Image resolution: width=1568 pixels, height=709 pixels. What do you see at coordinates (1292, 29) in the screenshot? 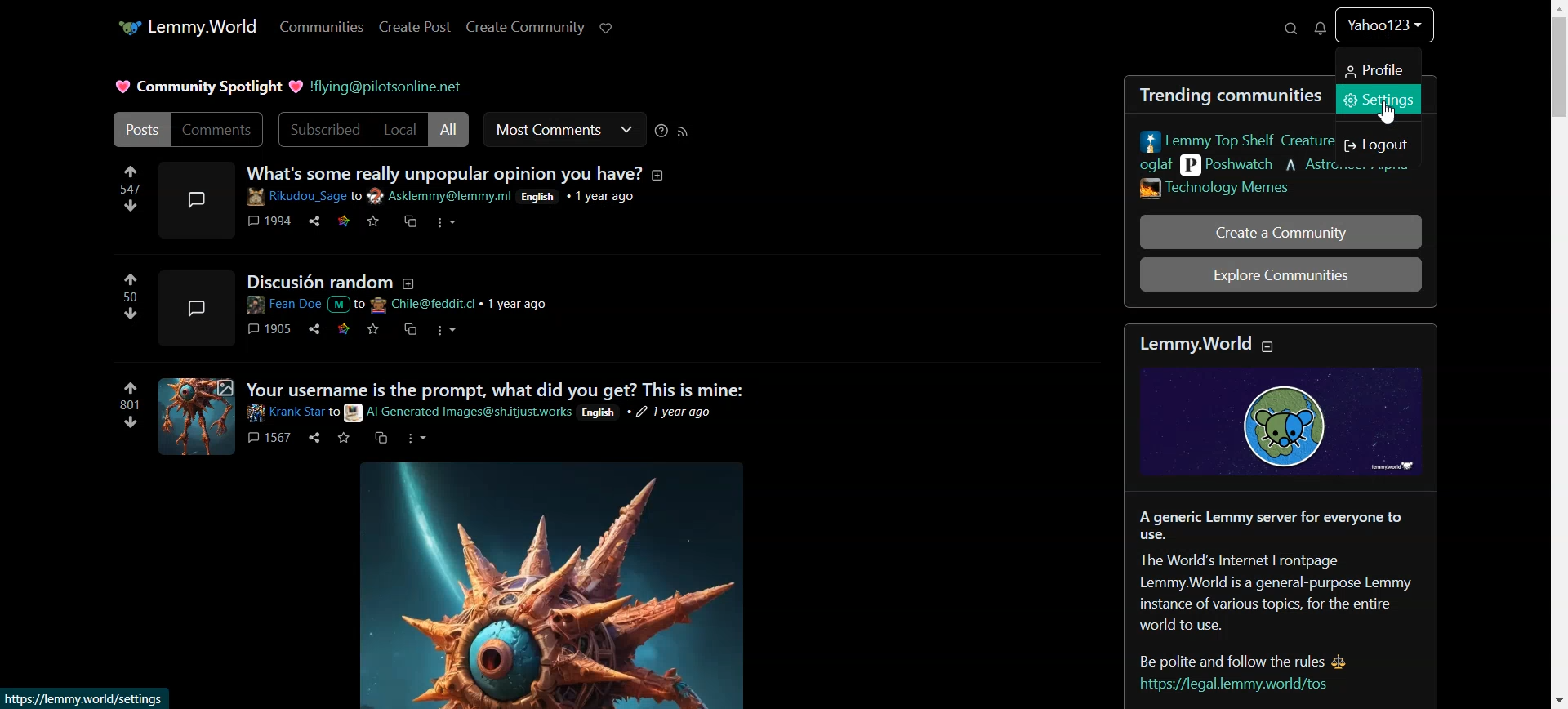
I see `Search` at bounding box center [1292, 29].